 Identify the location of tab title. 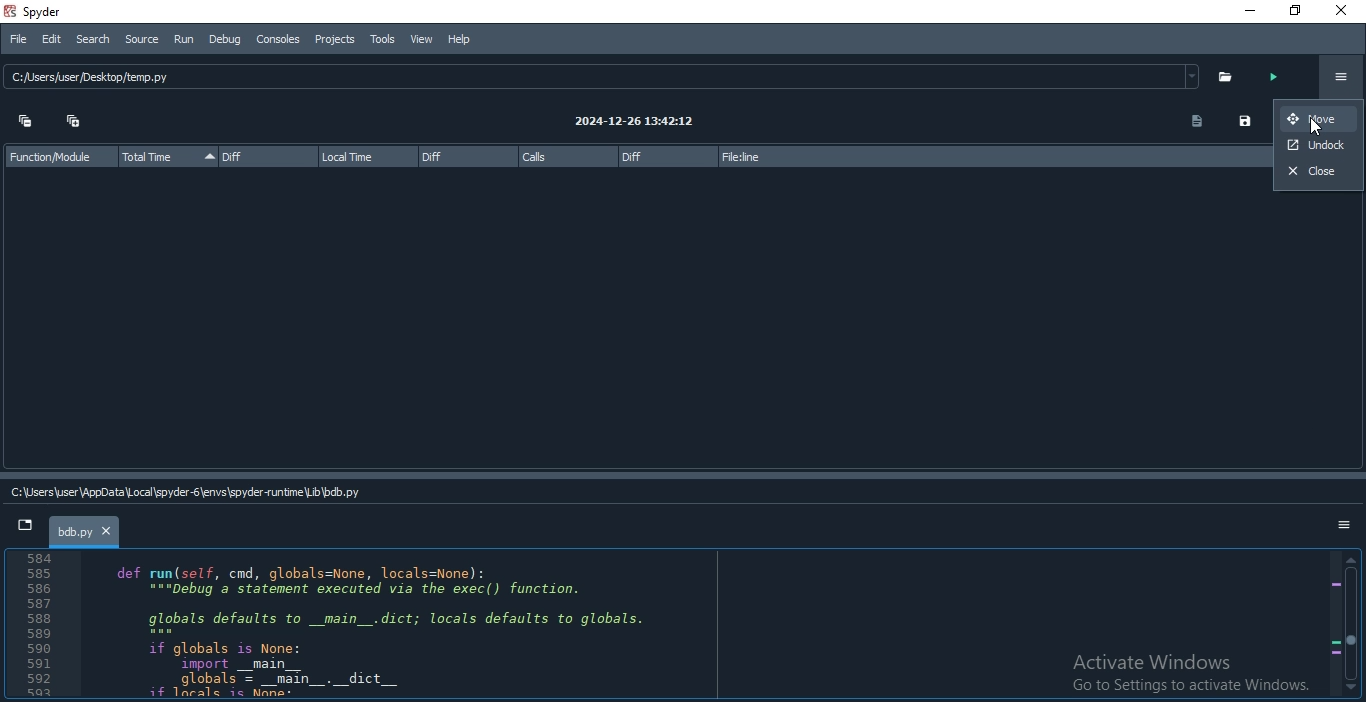
(87, 529).